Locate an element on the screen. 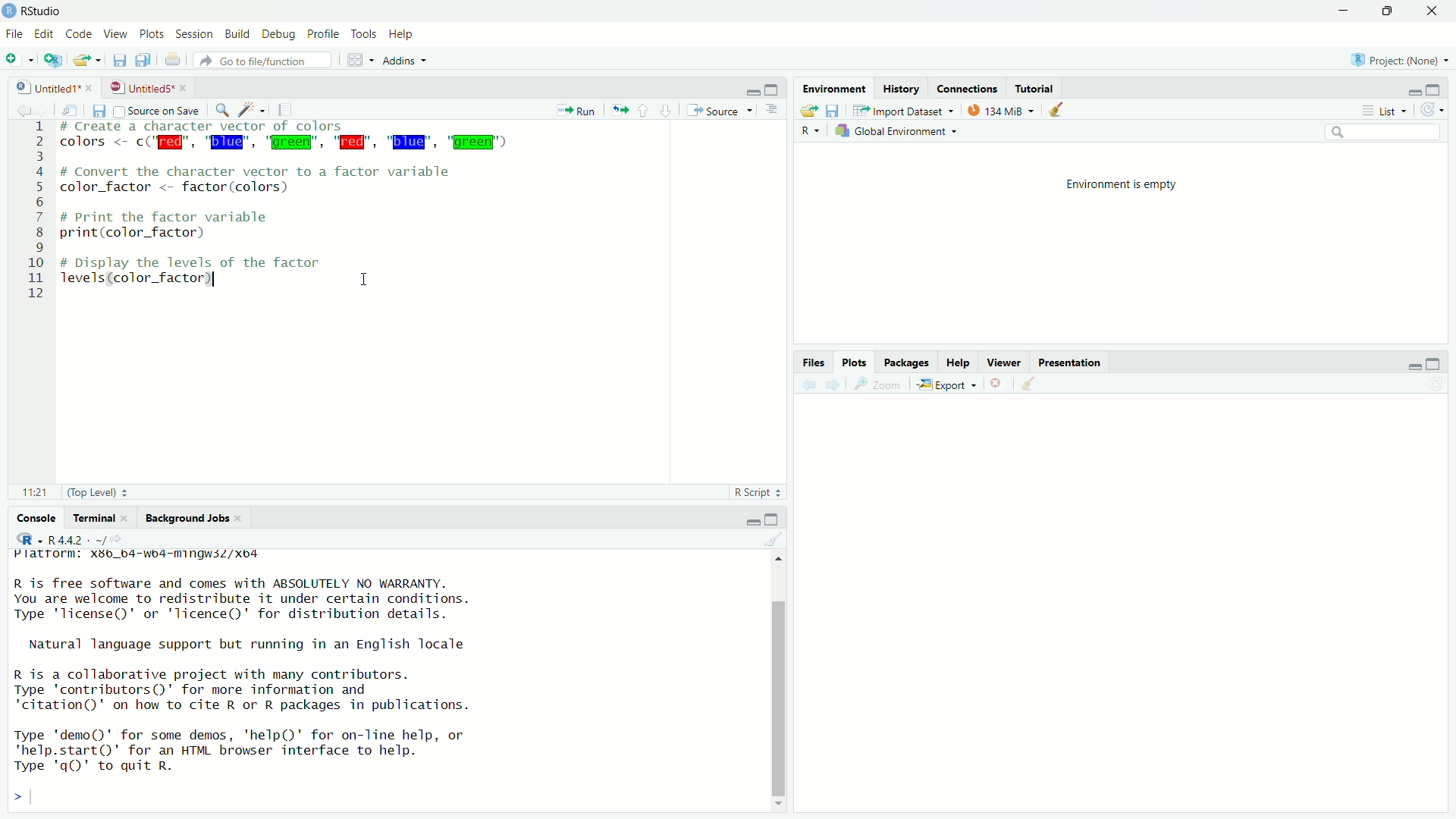 The width and height of the screenshot is (1456, 819). find/replace is located at coordinates (222, 111).